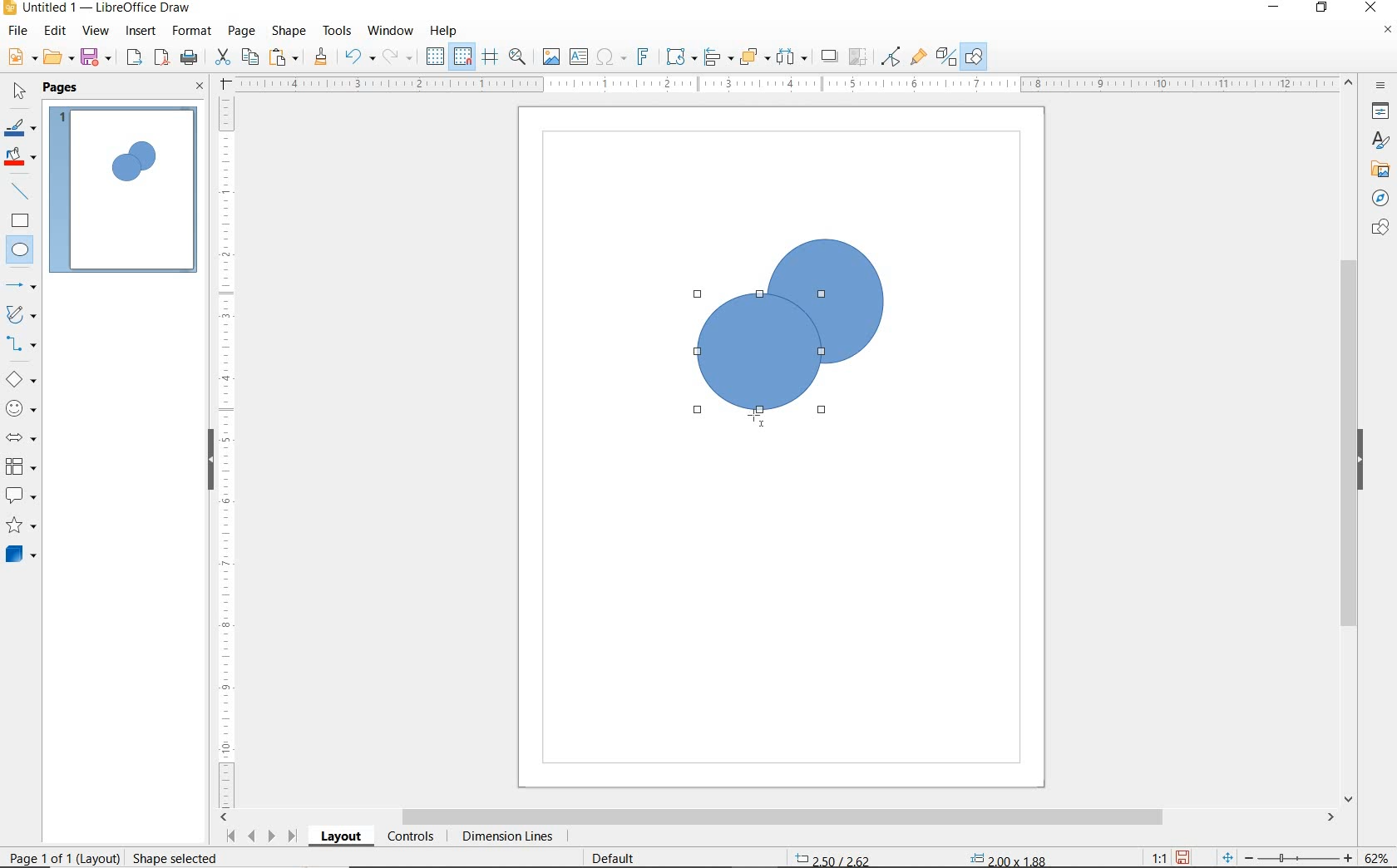  Describe the element at coordinates (124, 195) in the screenshot. I see `PAGE 1` at that location.